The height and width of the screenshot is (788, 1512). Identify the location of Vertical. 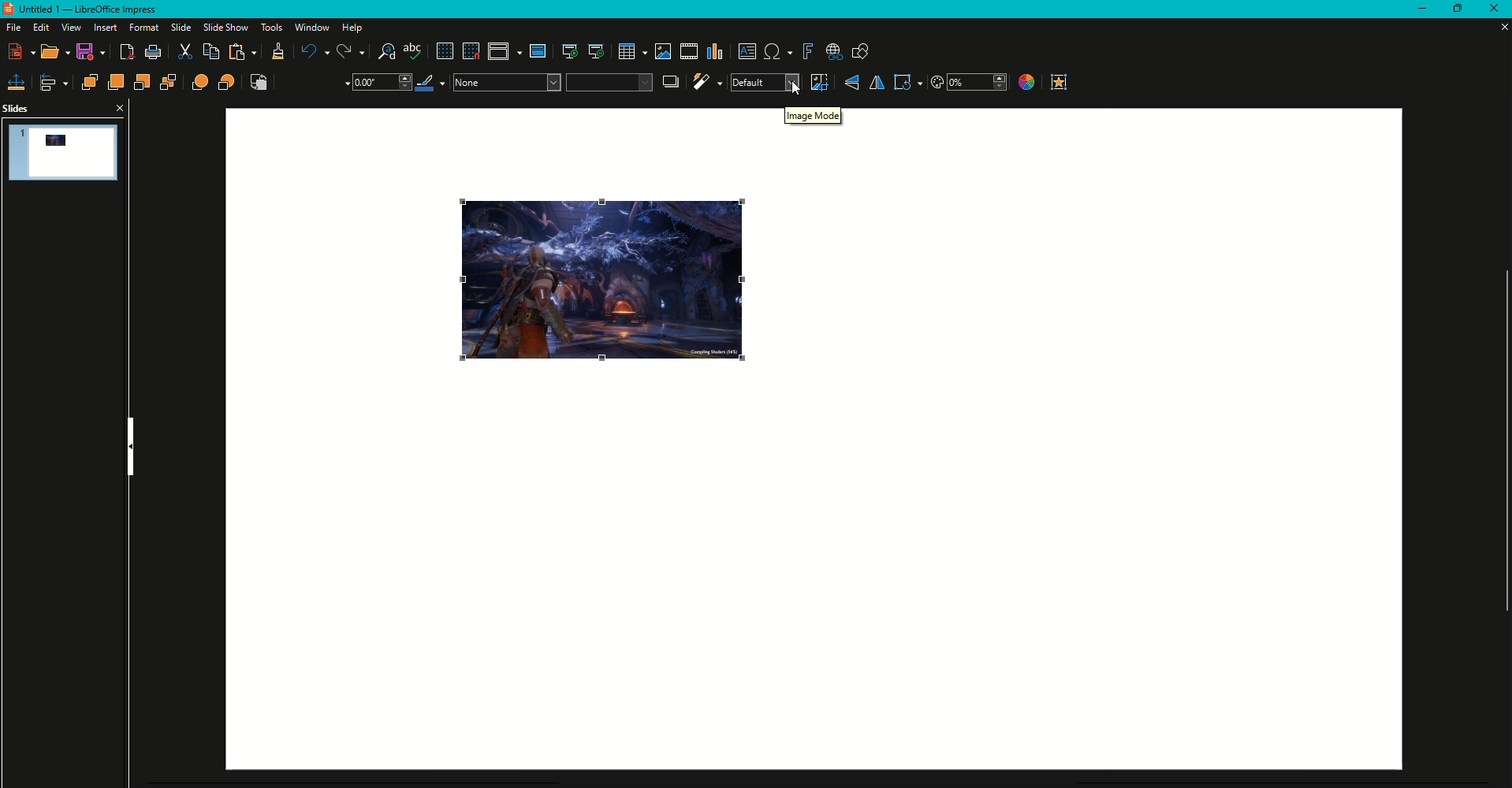
(851, 83).